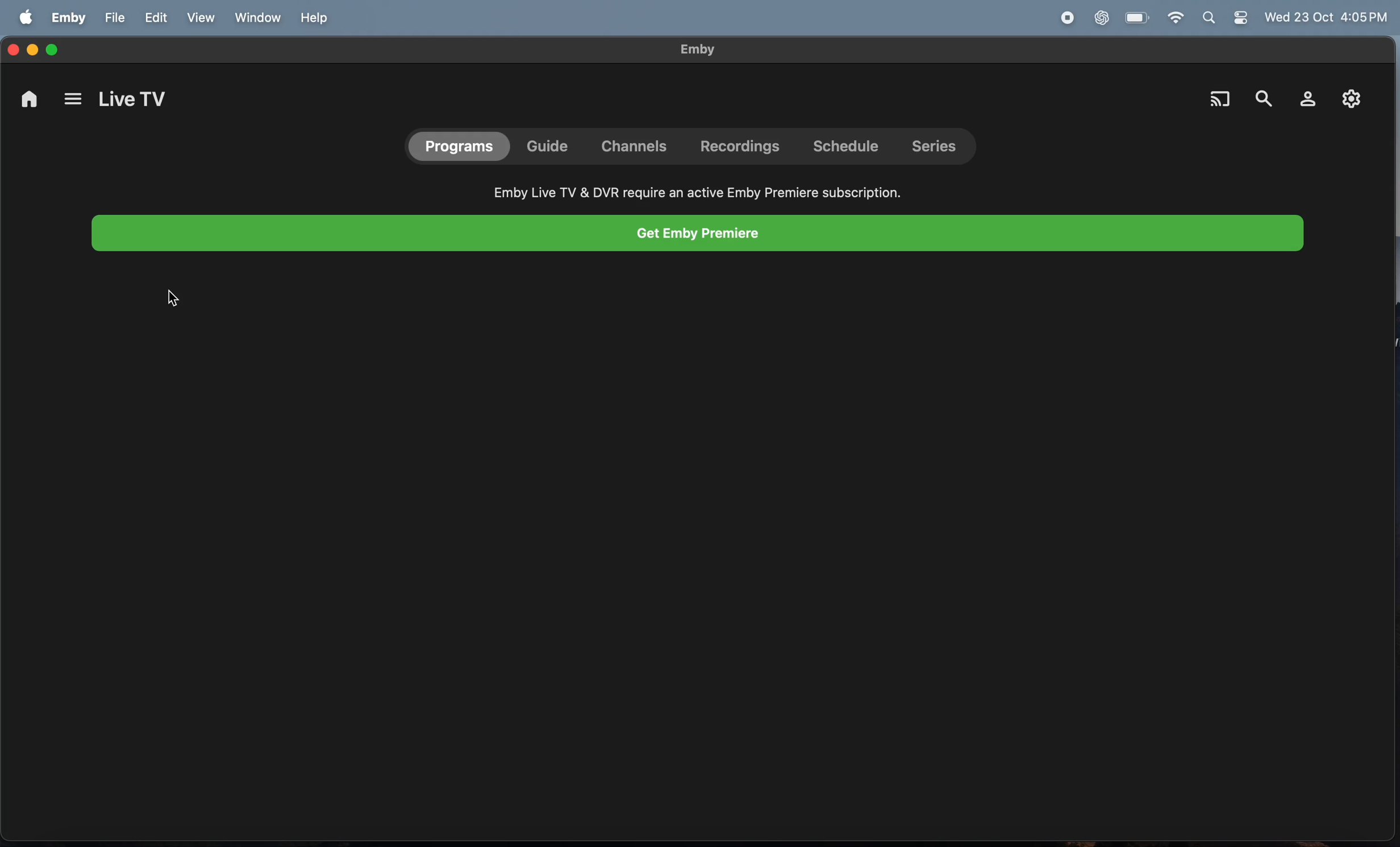 Image resolution: width=1400 pixels, height=847 pixels. I want to click on apple menu, so click(26, 19).